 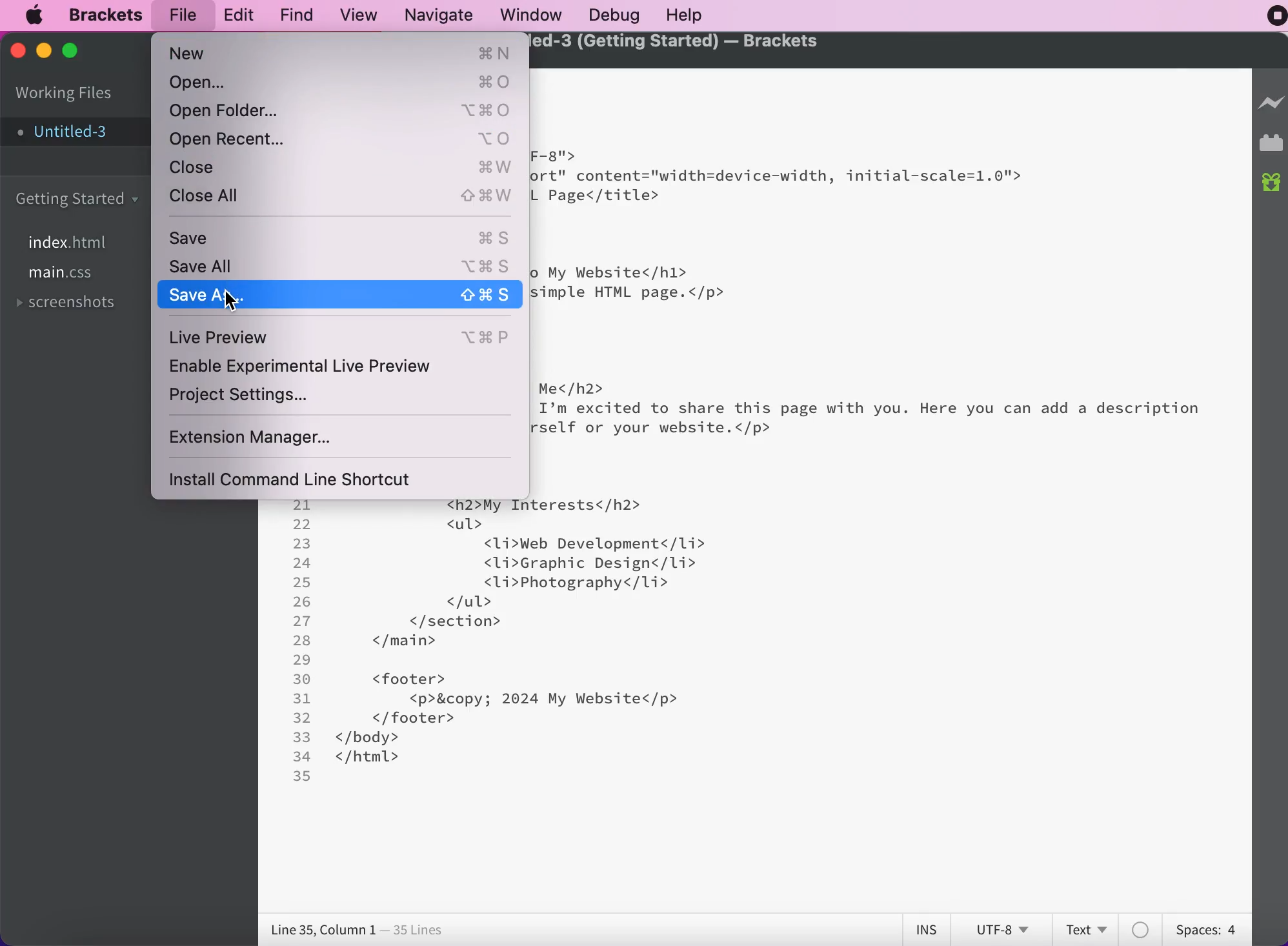 What do you see at coordinates (301, 481) in the screenshot?
I see `install command line shortcut` at bounding box center [301, 481].